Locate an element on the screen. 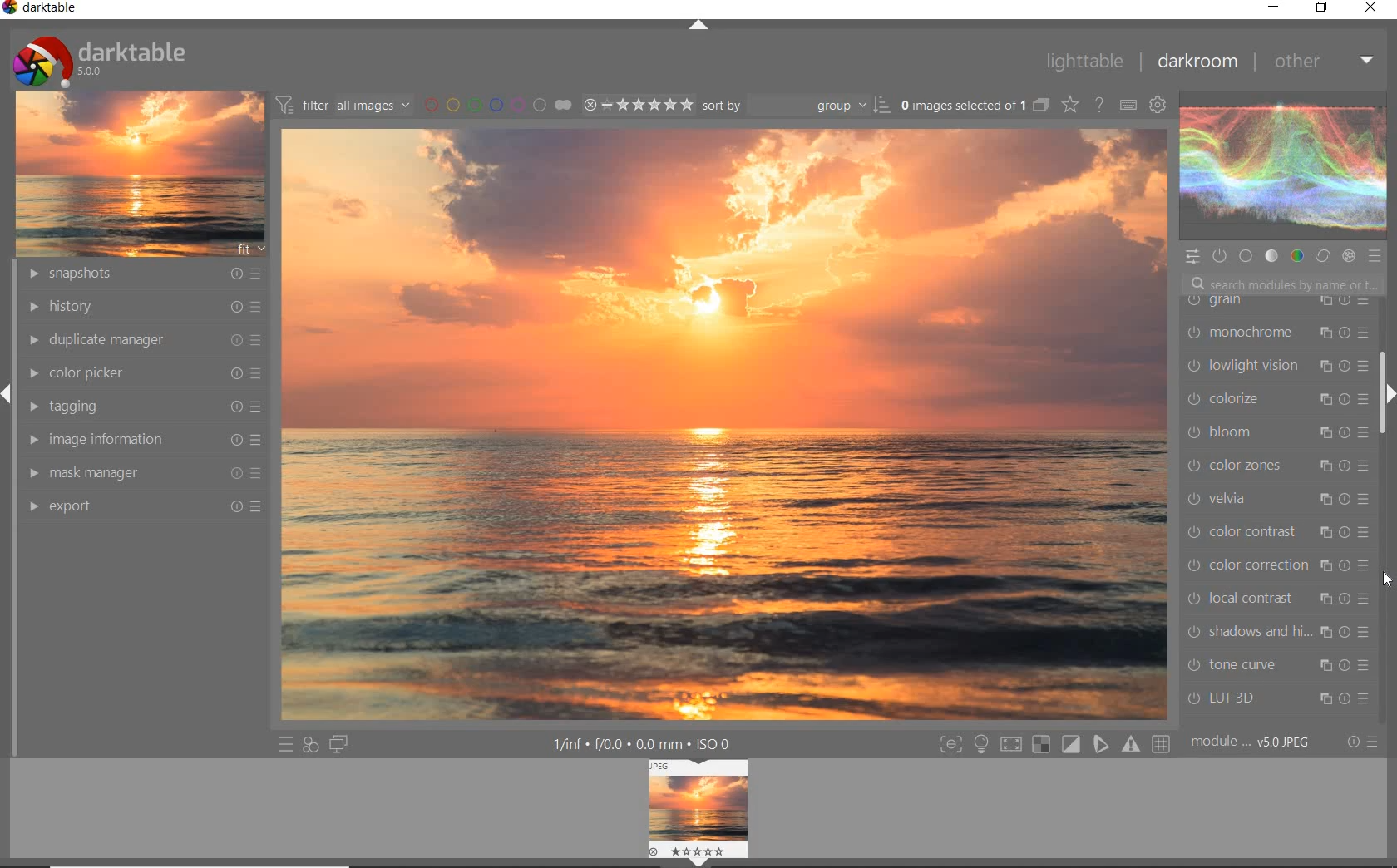  SELECTED IMAGE RANGE RATING is located at coordinates (639, 104).